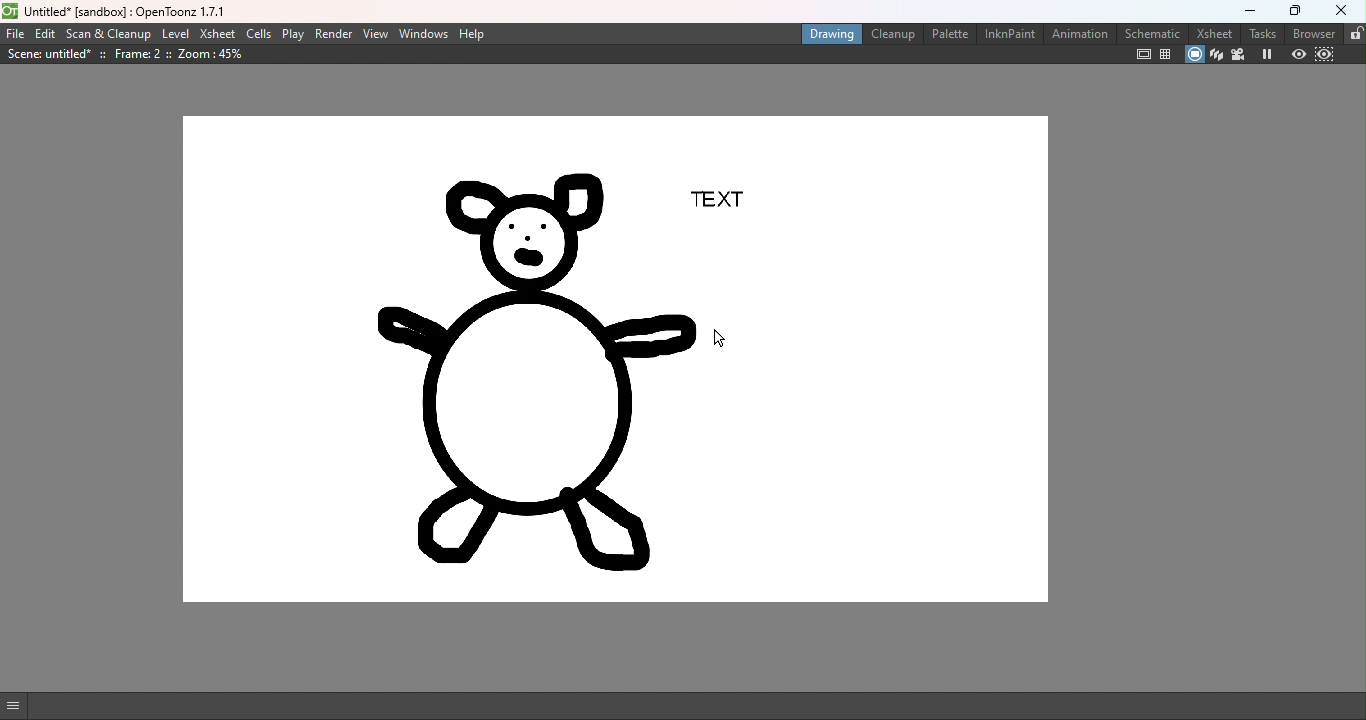  I want to click on Field guide, so click(1168, 54).